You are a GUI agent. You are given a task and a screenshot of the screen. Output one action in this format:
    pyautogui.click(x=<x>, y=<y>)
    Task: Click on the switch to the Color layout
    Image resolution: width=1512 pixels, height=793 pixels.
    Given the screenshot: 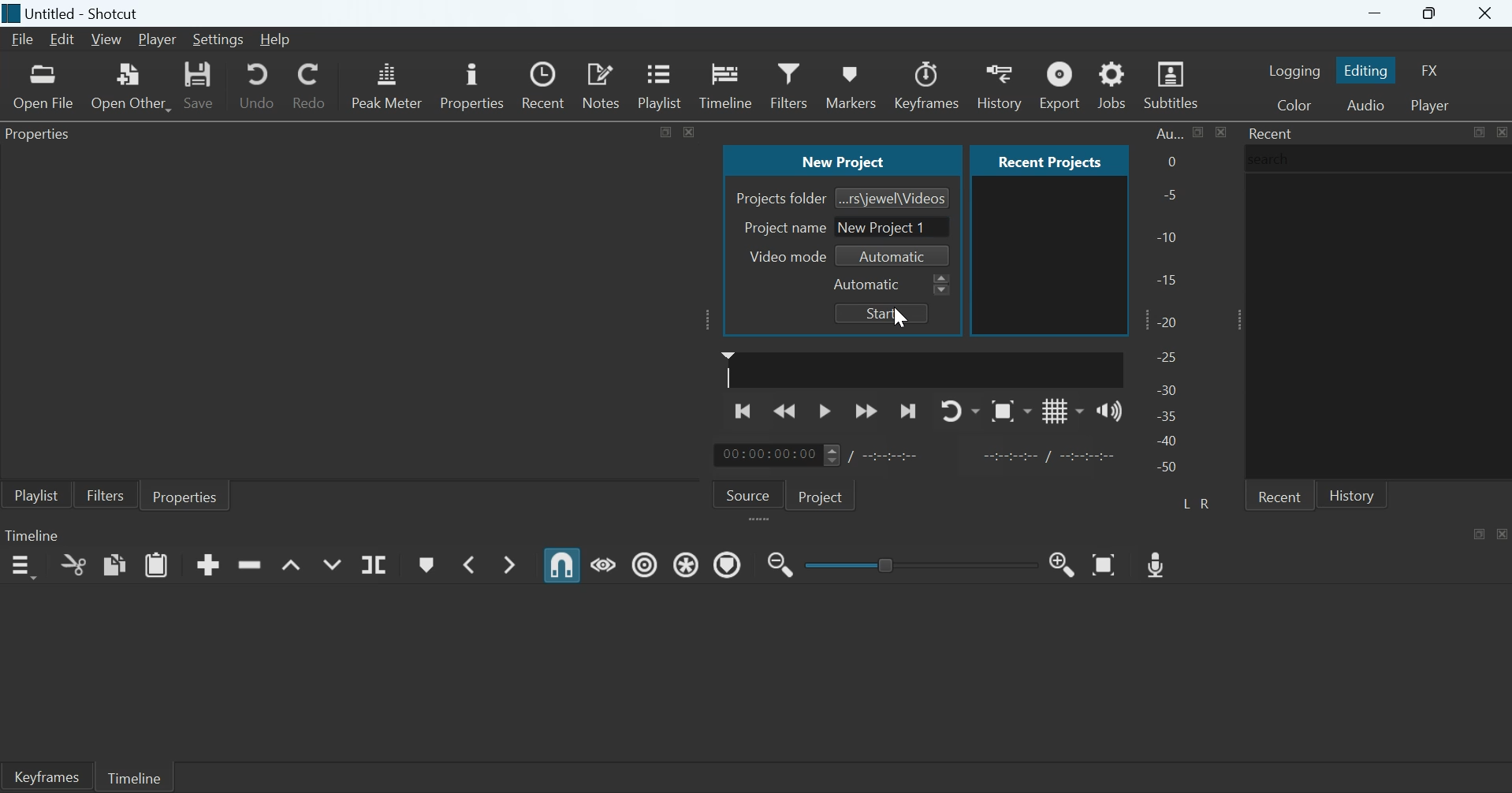 What is the action you would take?
    pyautogui.click(x=1294, y=104)
    